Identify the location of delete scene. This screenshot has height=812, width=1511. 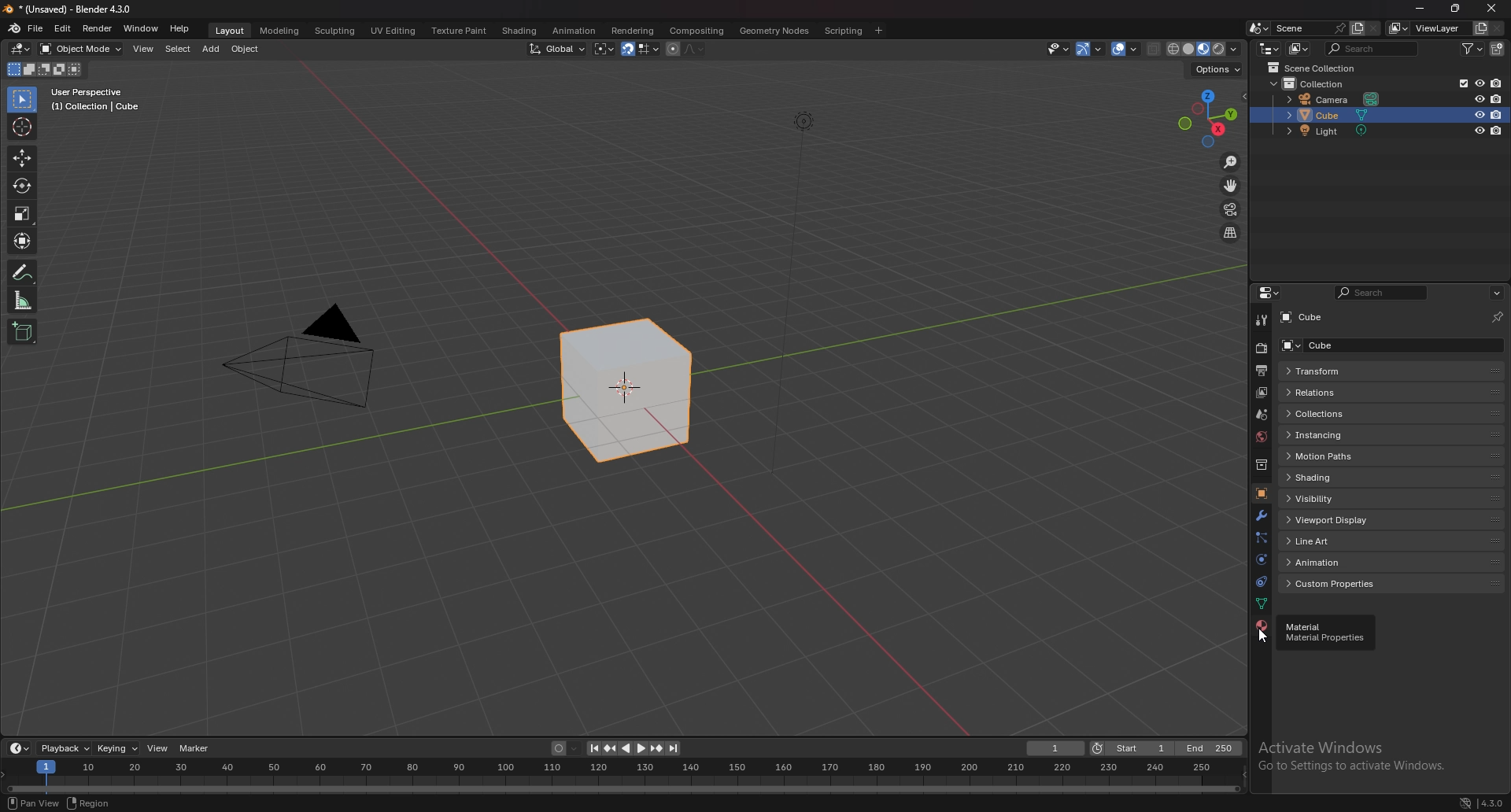
(1374, 29).